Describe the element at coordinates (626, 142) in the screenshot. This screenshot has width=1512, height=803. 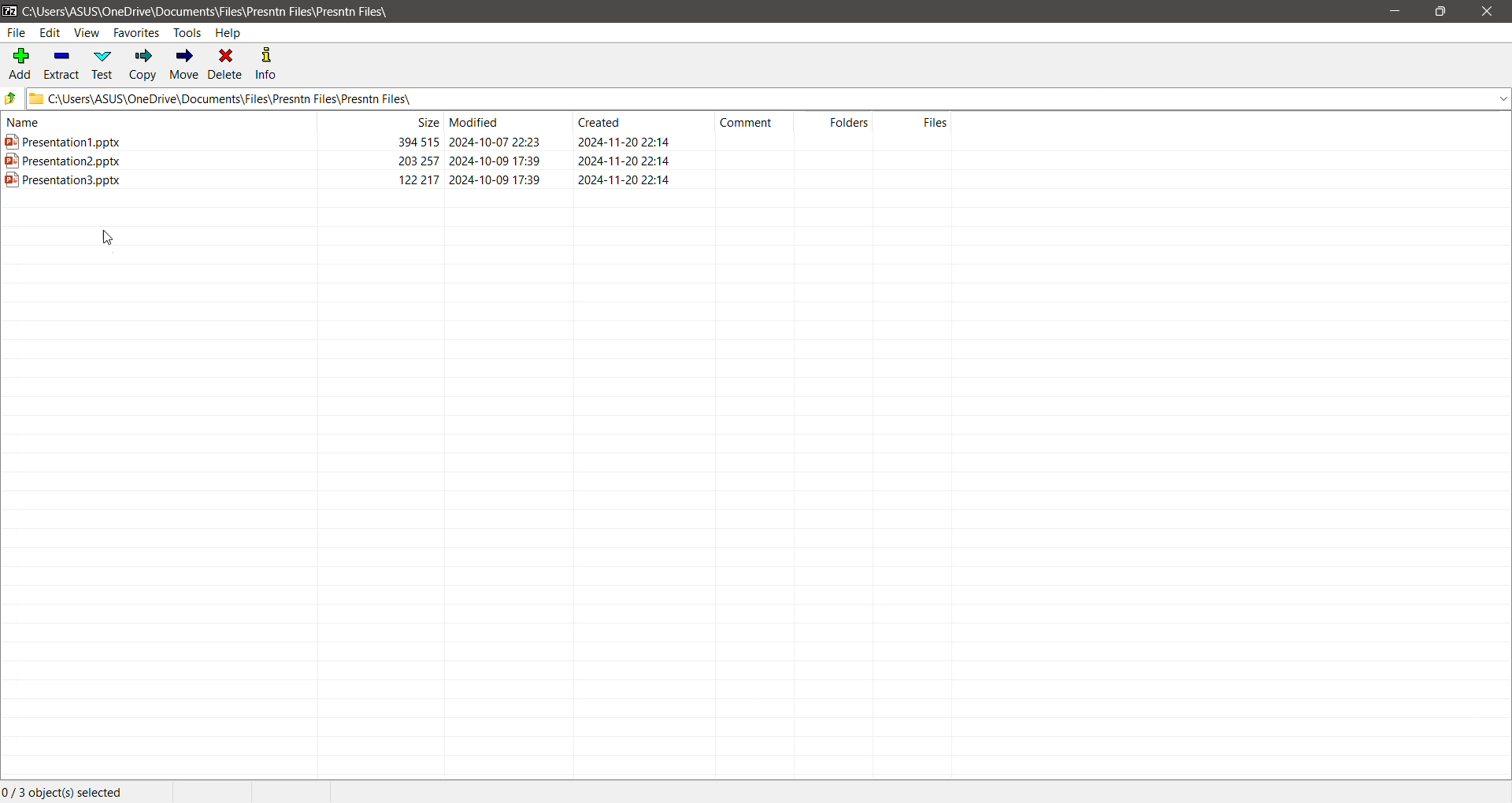
I see `created date & time` at that location.